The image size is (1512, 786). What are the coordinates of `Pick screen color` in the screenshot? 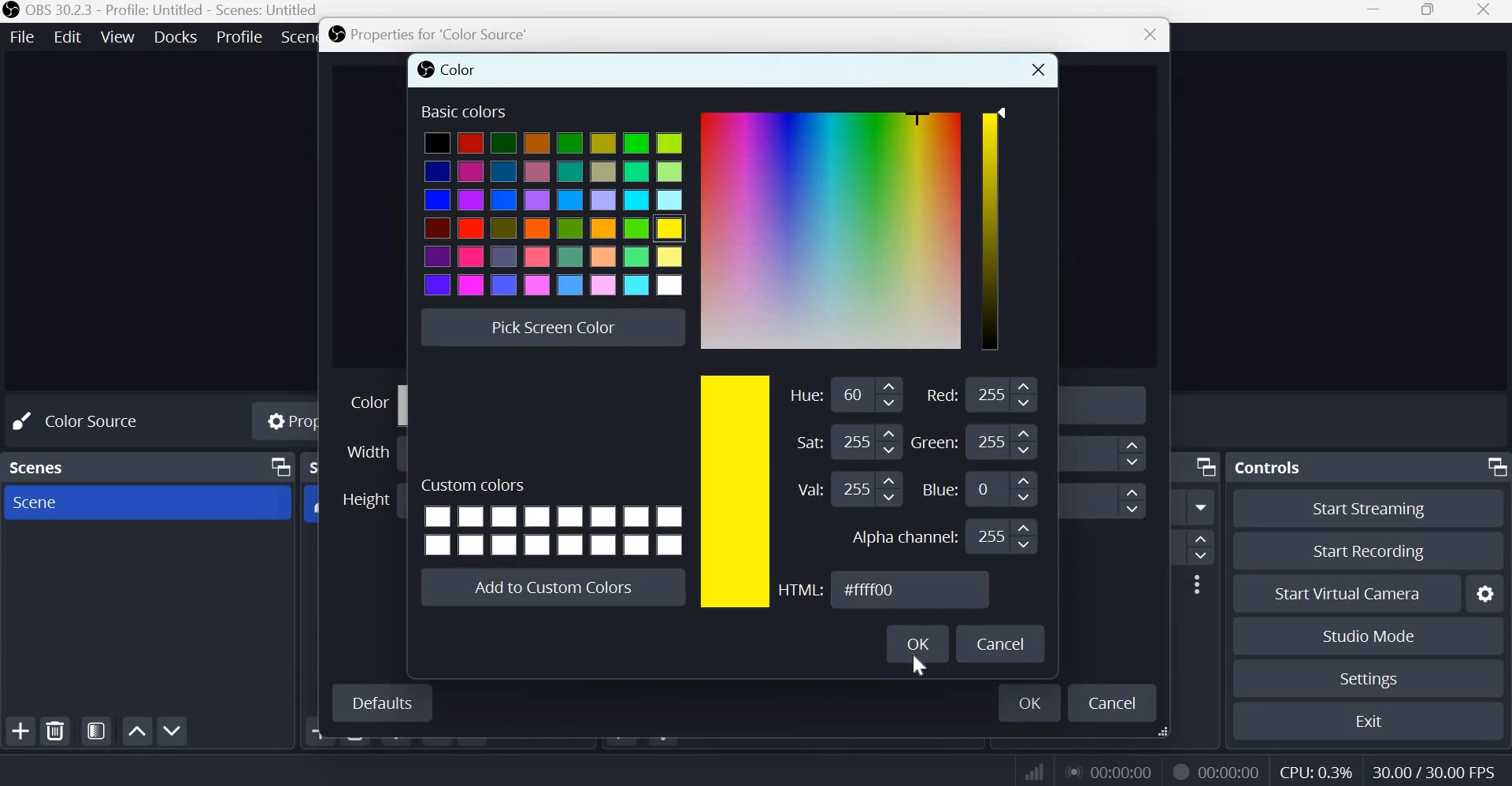 It's located at (550, 328).